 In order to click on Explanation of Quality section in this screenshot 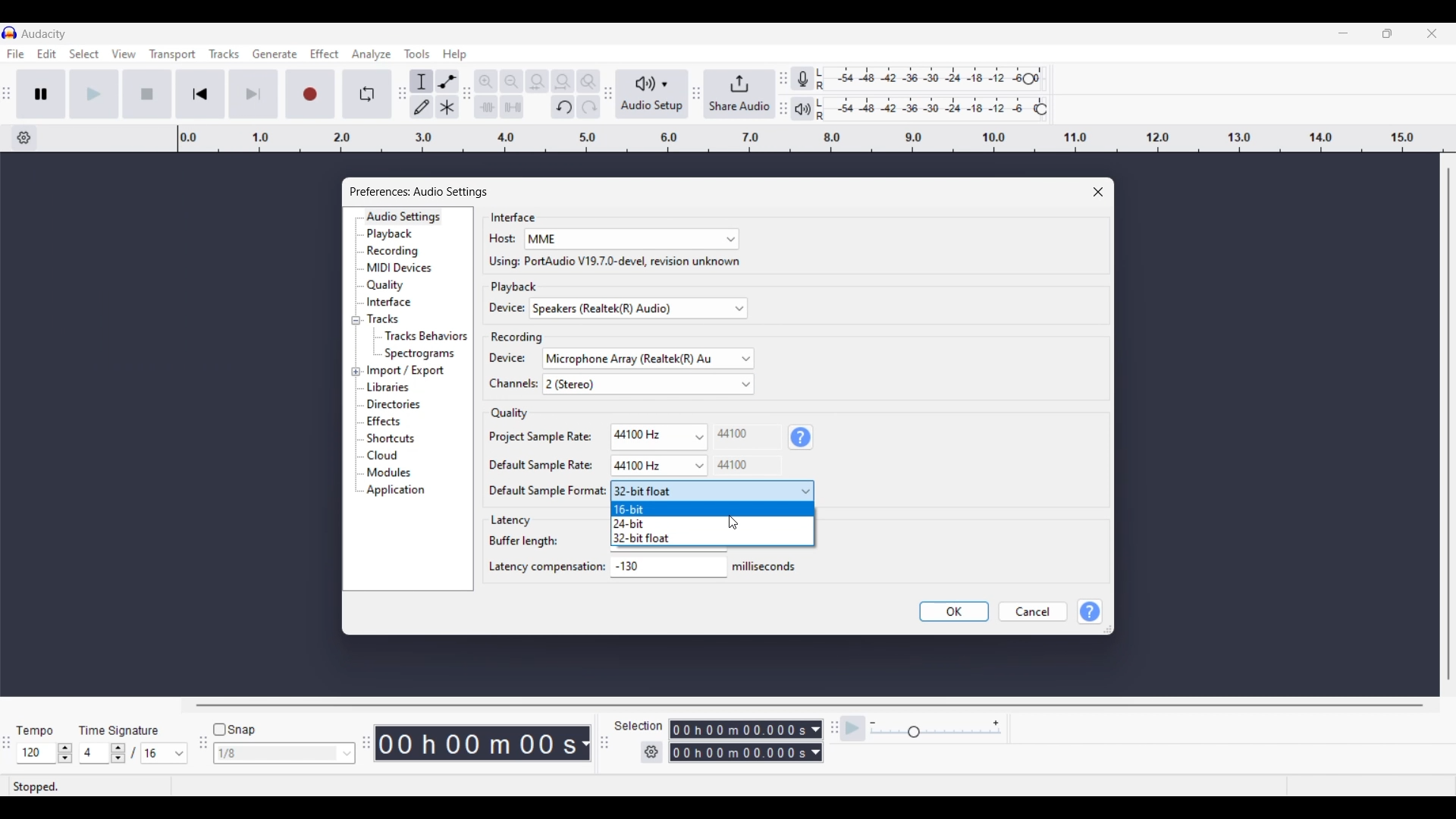, I will do `click(801, 438)`.